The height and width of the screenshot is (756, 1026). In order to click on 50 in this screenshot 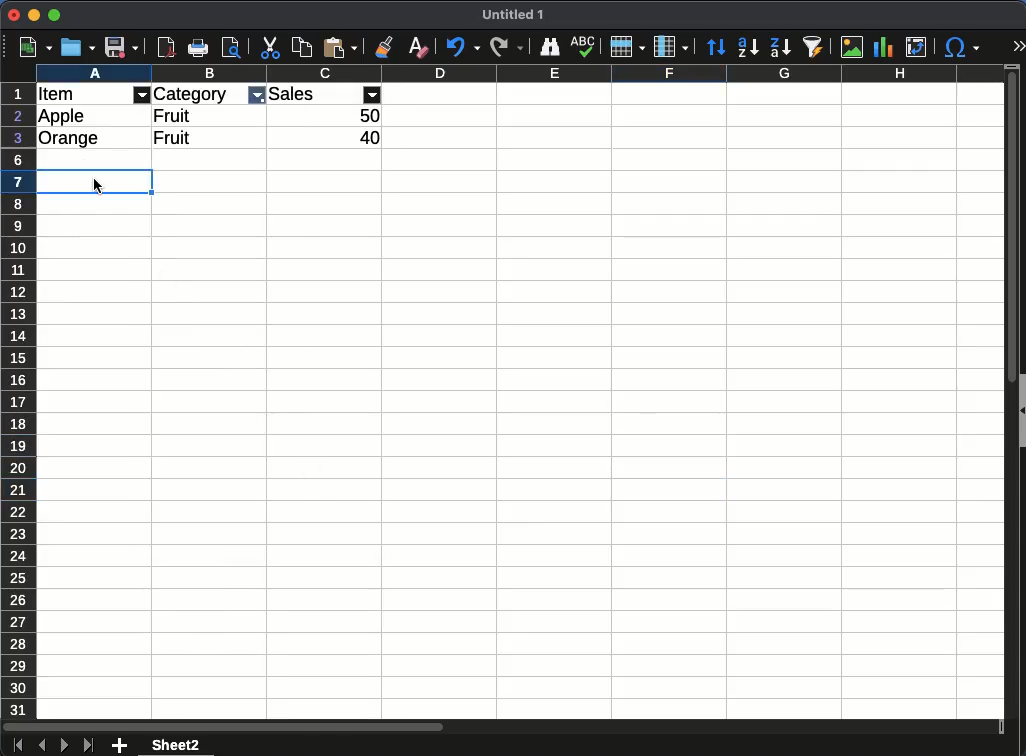, I will do `click(370, 116)`.